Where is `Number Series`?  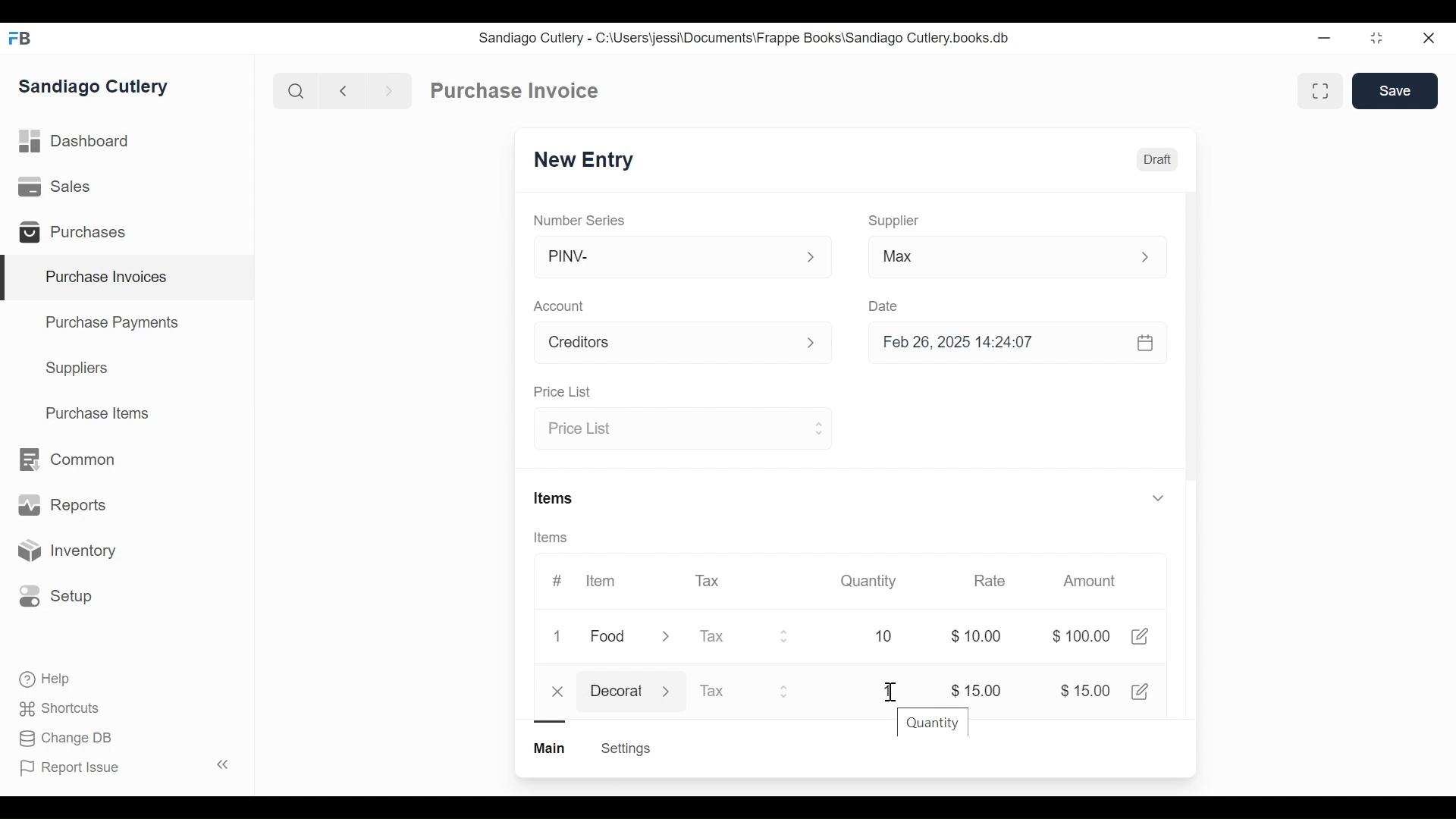 Number Series is located at coordinates (581, 220).